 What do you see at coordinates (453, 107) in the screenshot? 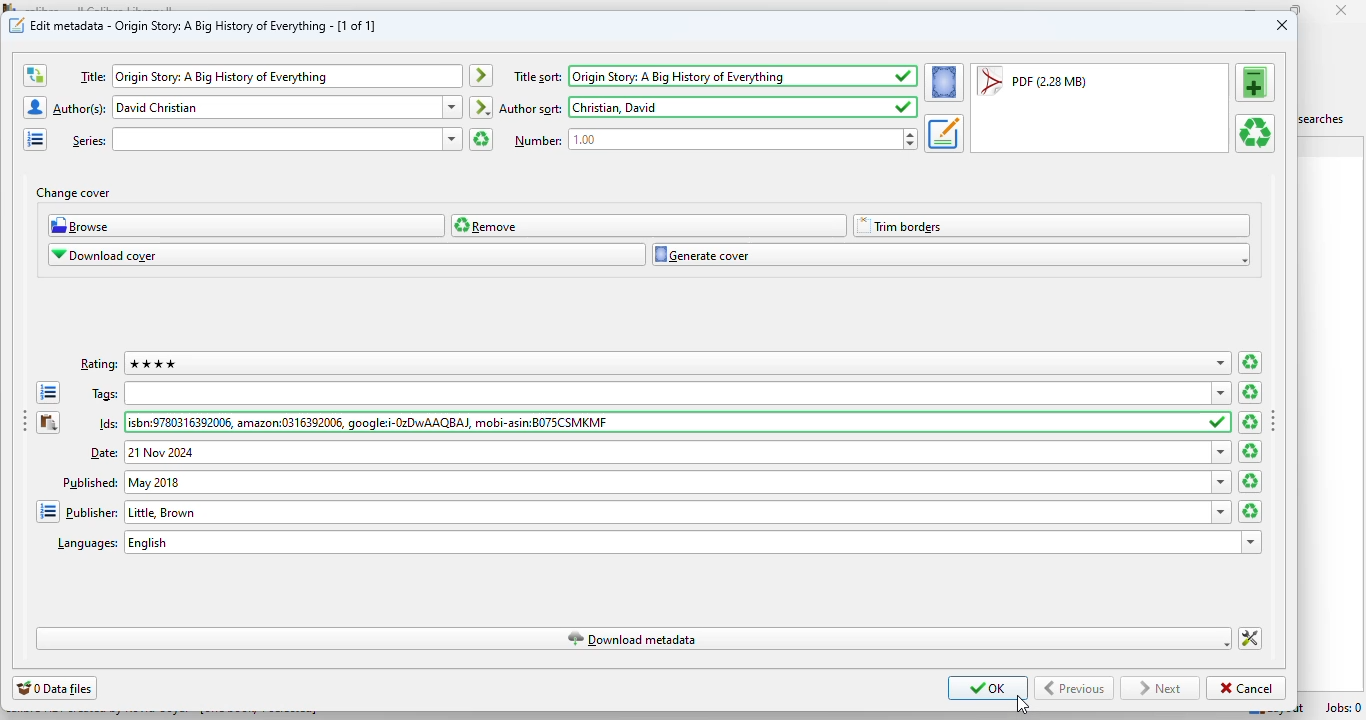
I see `dropdown` at bounding box center [453, 107].